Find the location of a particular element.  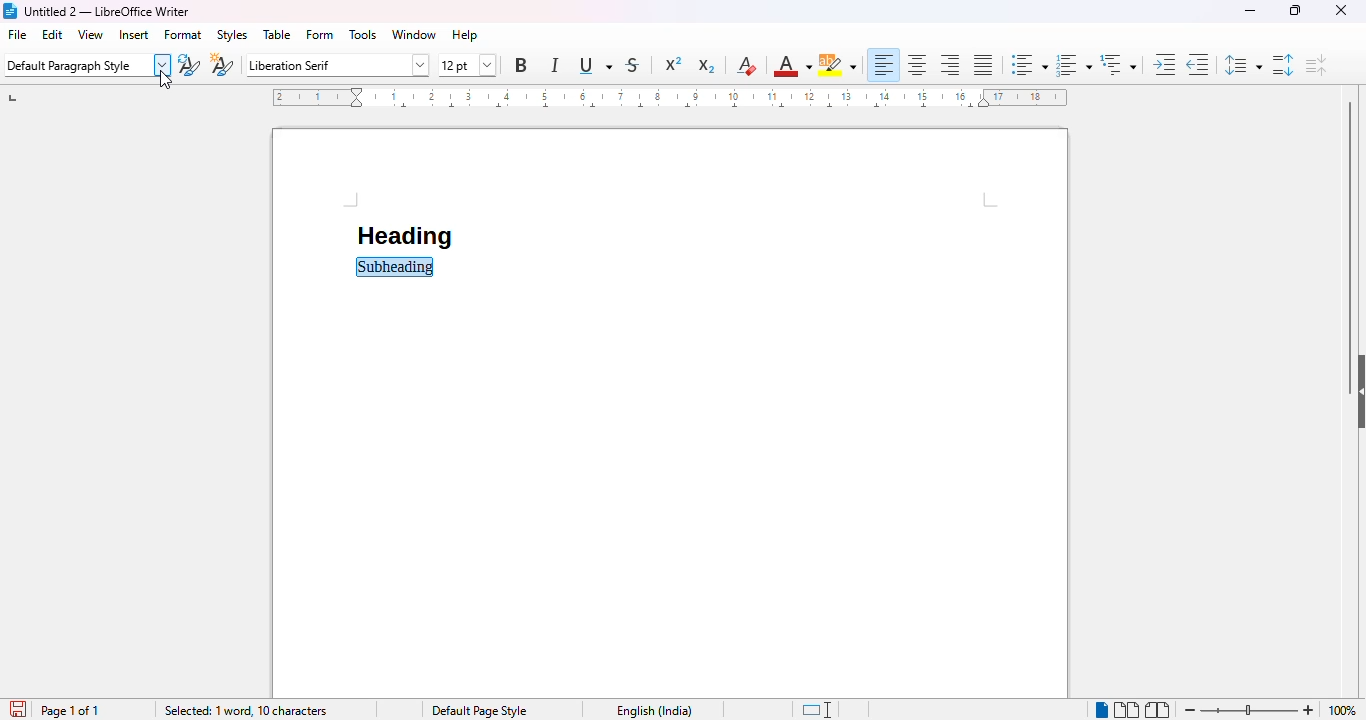

styles is located at coordinates (231, 35).